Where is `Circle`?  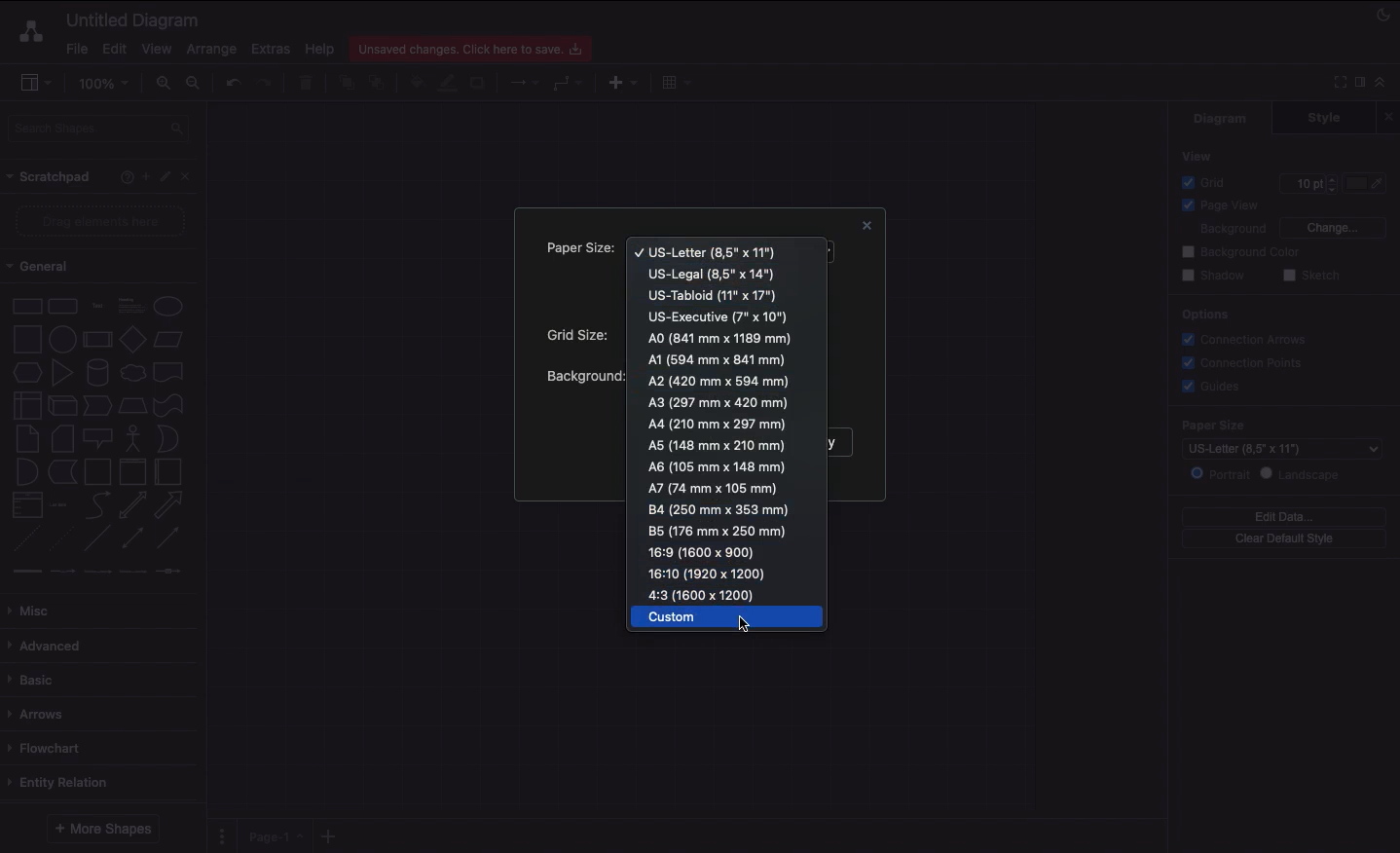 Circle is located at coordinates (168, 306).